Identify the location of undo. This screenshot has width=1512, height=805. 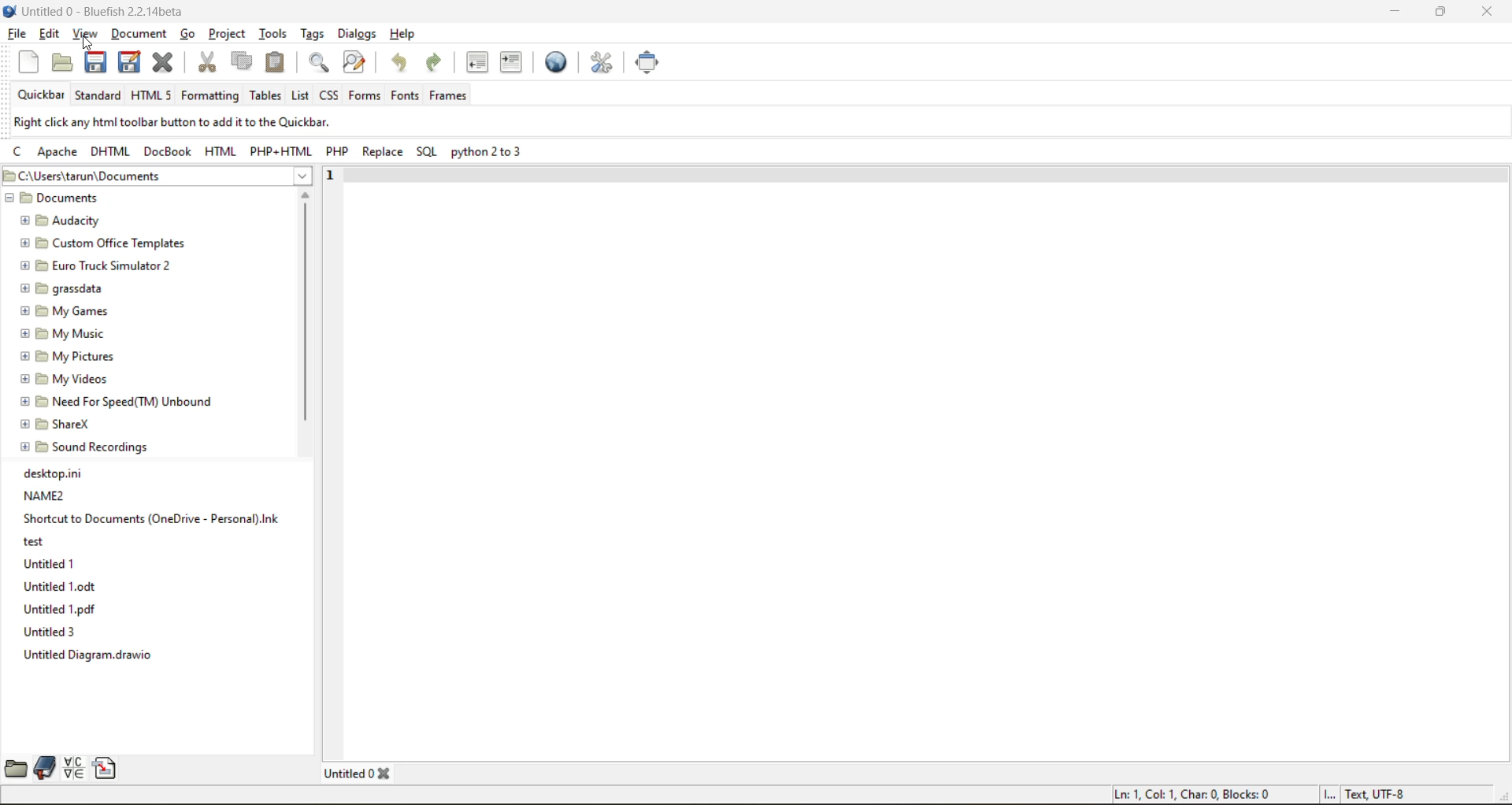
(406, 63).